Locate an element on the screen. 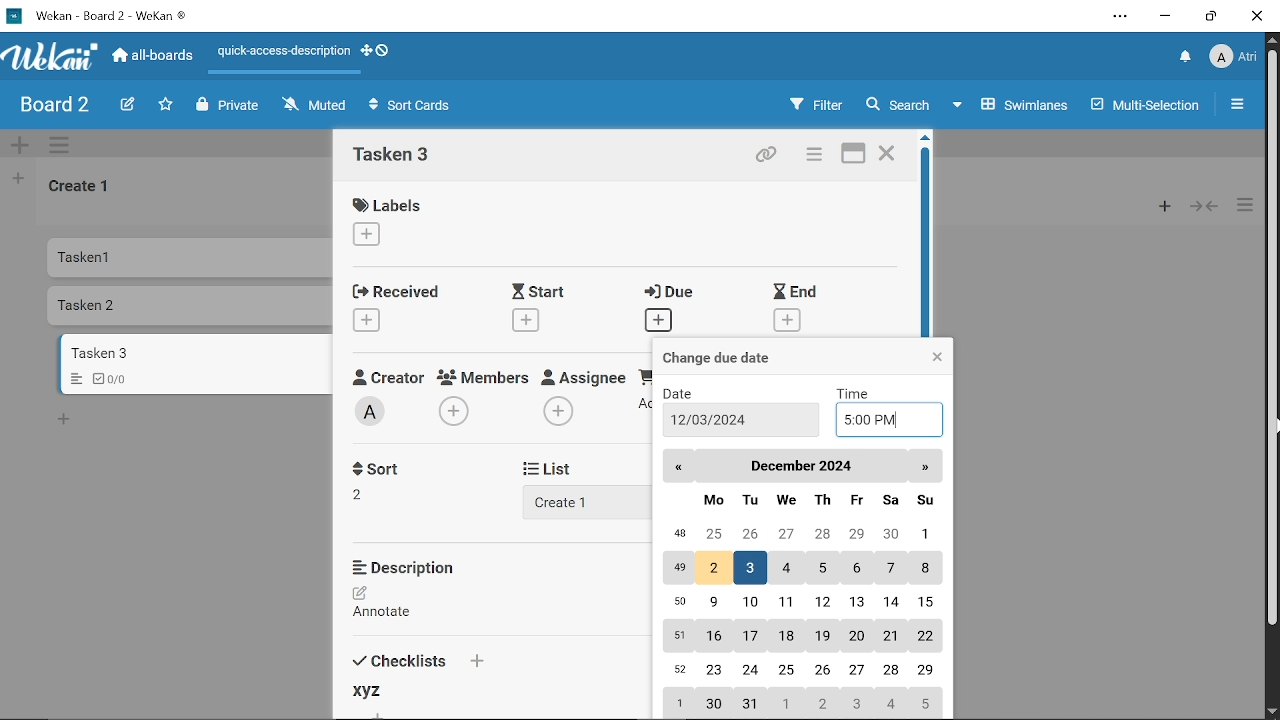 The image size is (1280, 720). Add due date is located at coordinates (658, 321).